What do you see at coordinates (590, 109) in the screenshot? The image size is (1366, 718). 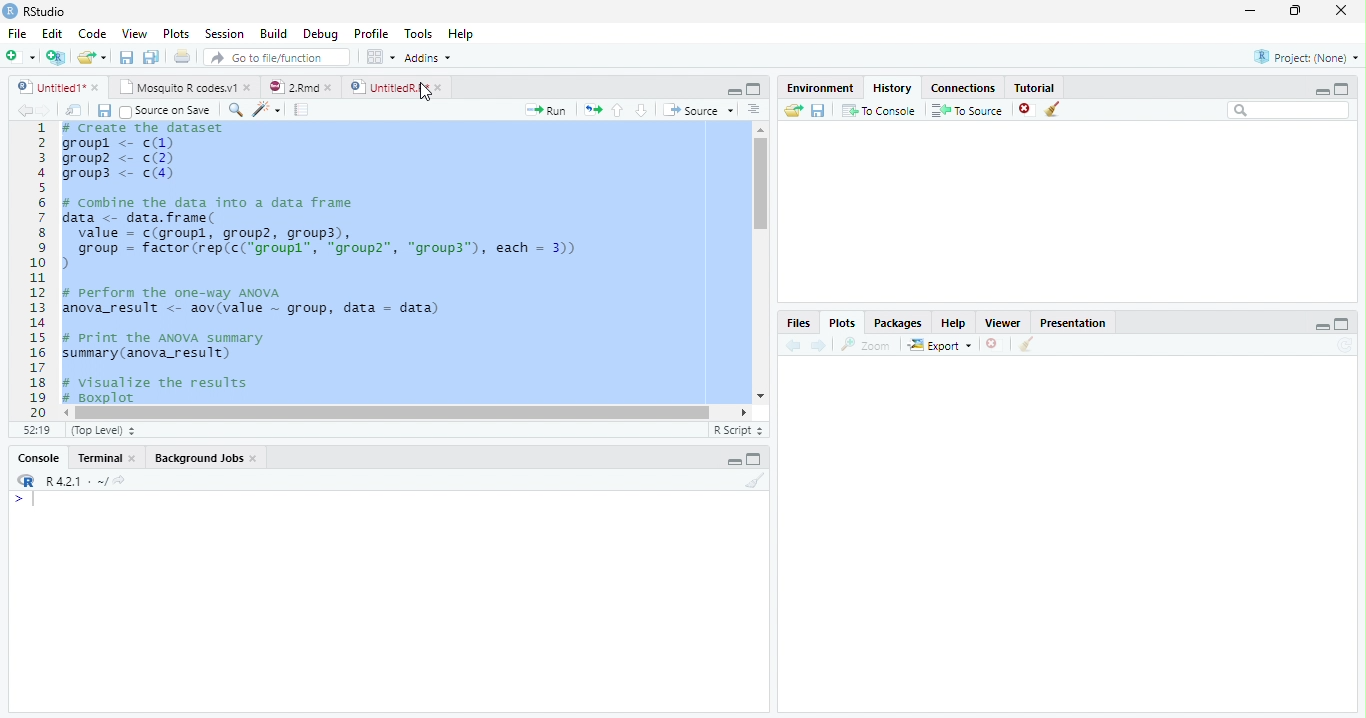 I see `Copy pages` at bounding box center [590, 109].